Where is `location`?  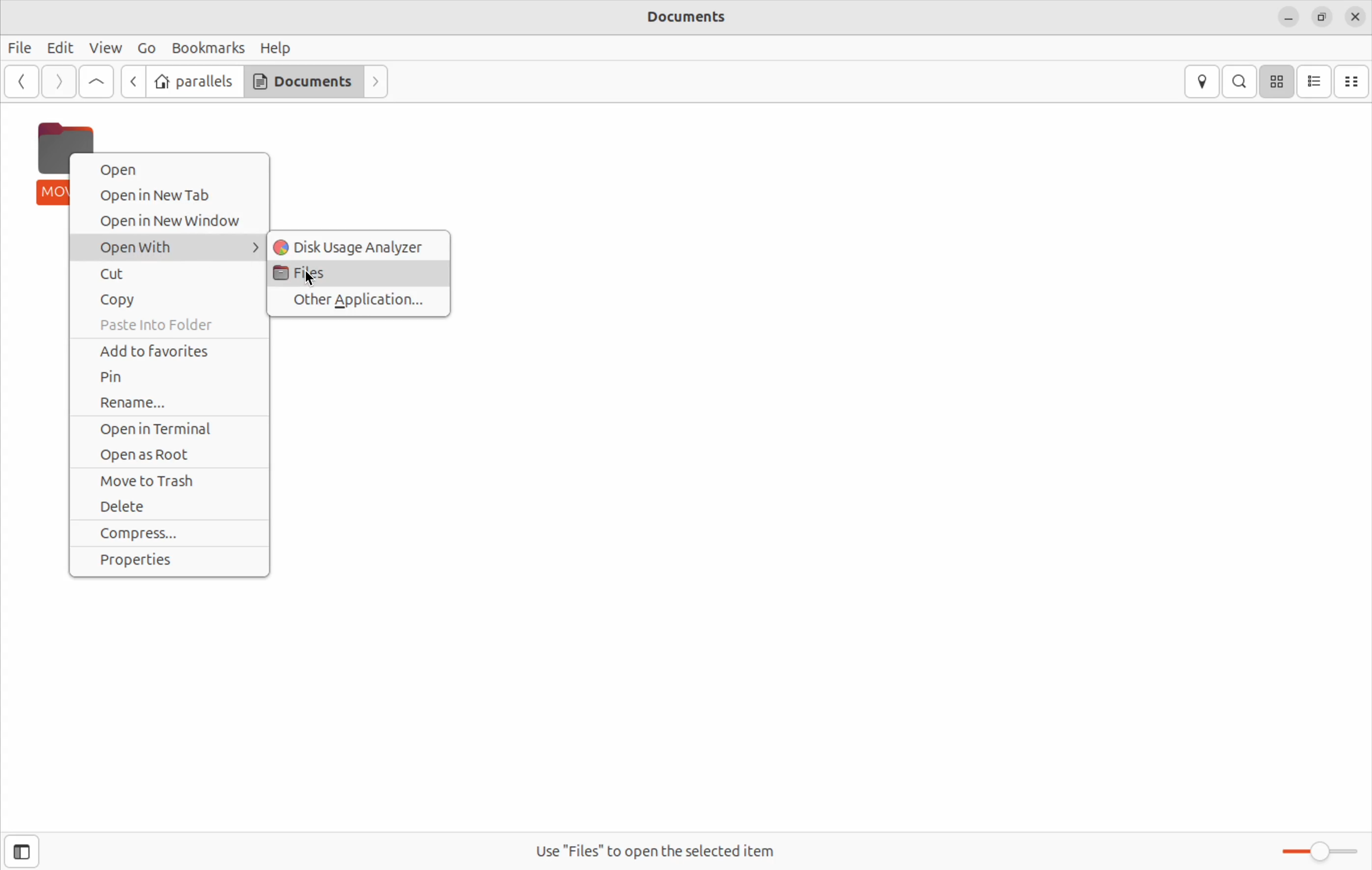 location is located at coordinates (1201, 82).